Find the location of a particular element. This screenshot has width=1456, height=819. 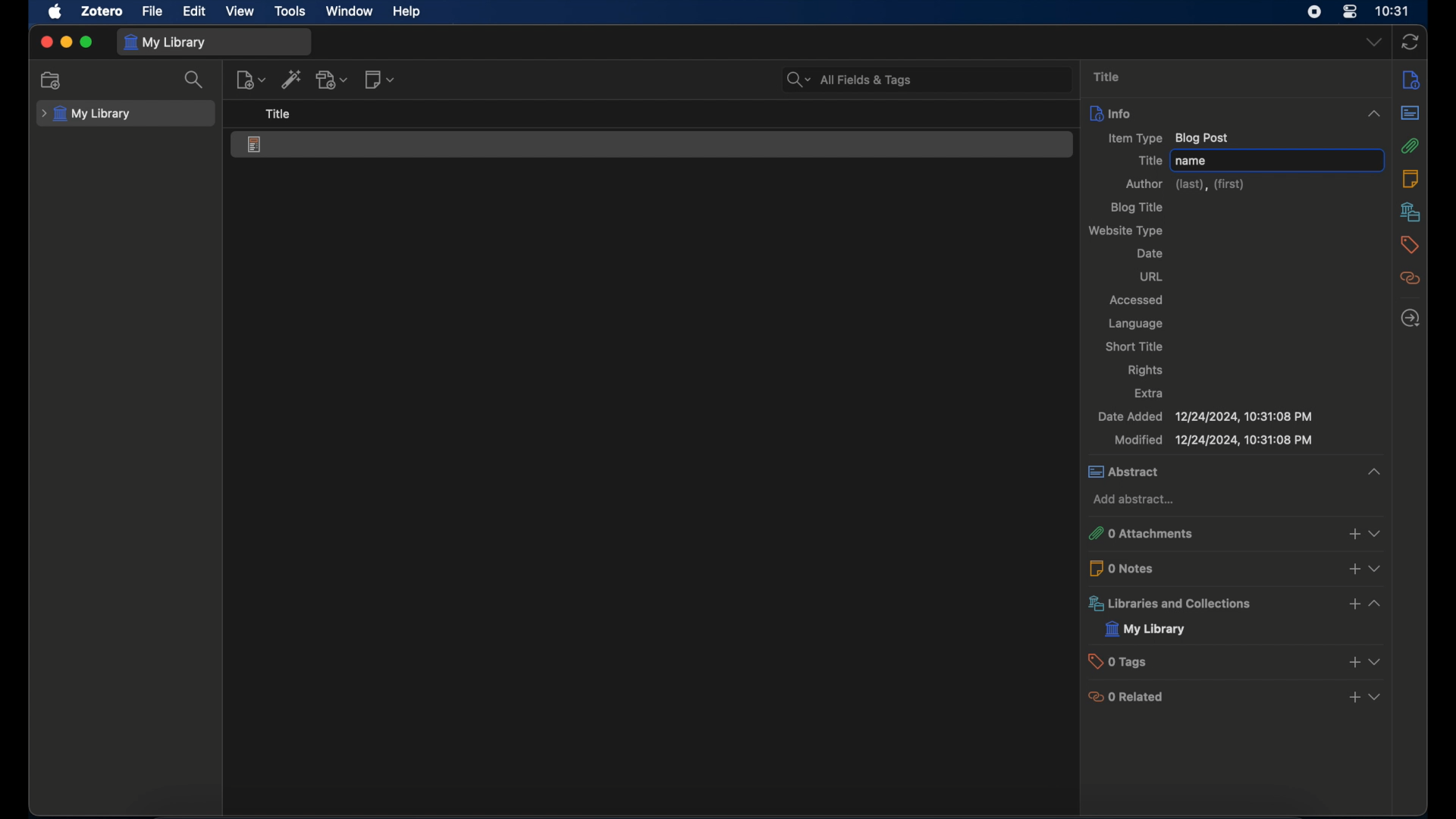

short title is located at coordinates (1134, 345).